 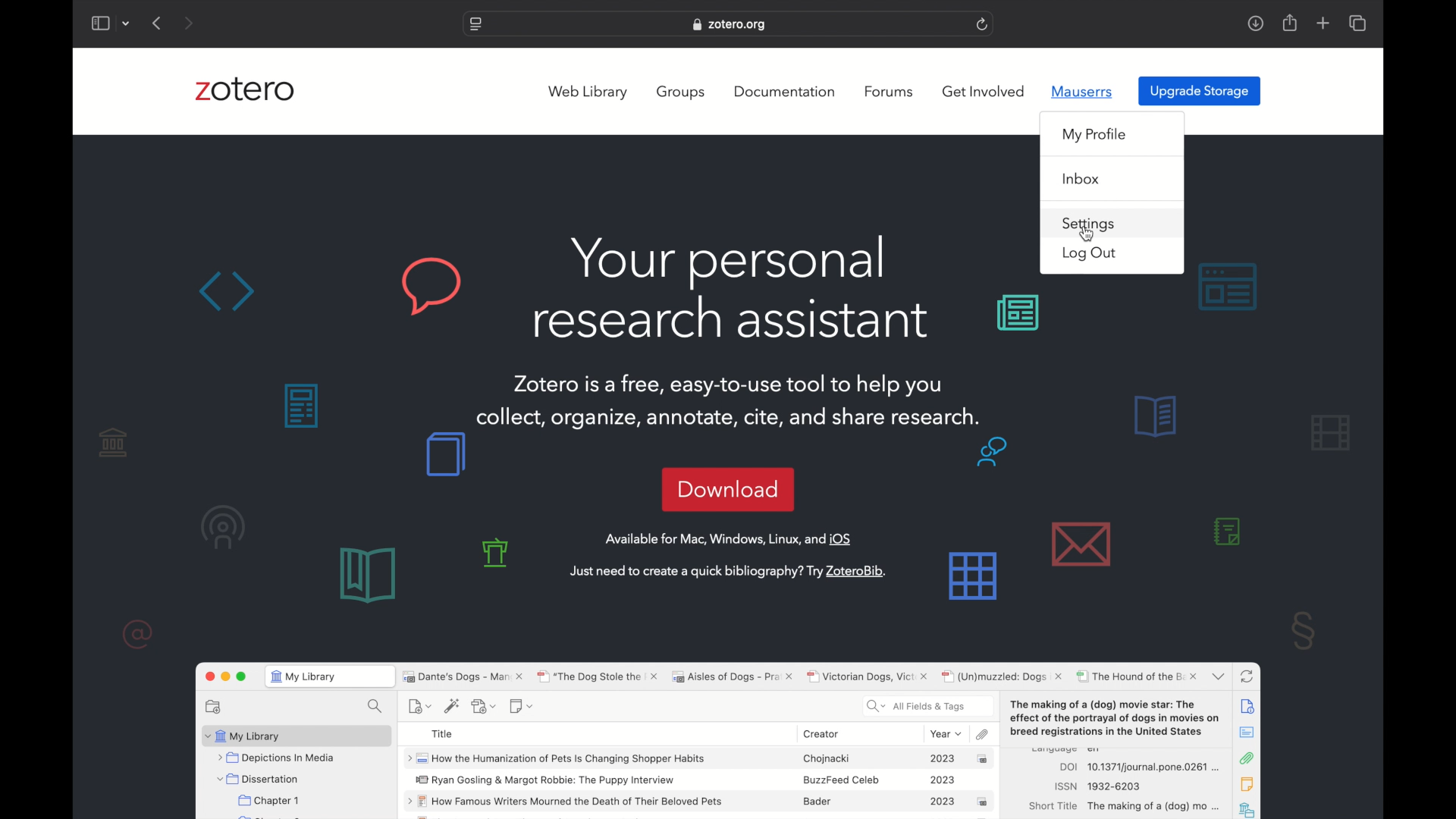 I want to click on background graphics, so click(x=1018, y=314).